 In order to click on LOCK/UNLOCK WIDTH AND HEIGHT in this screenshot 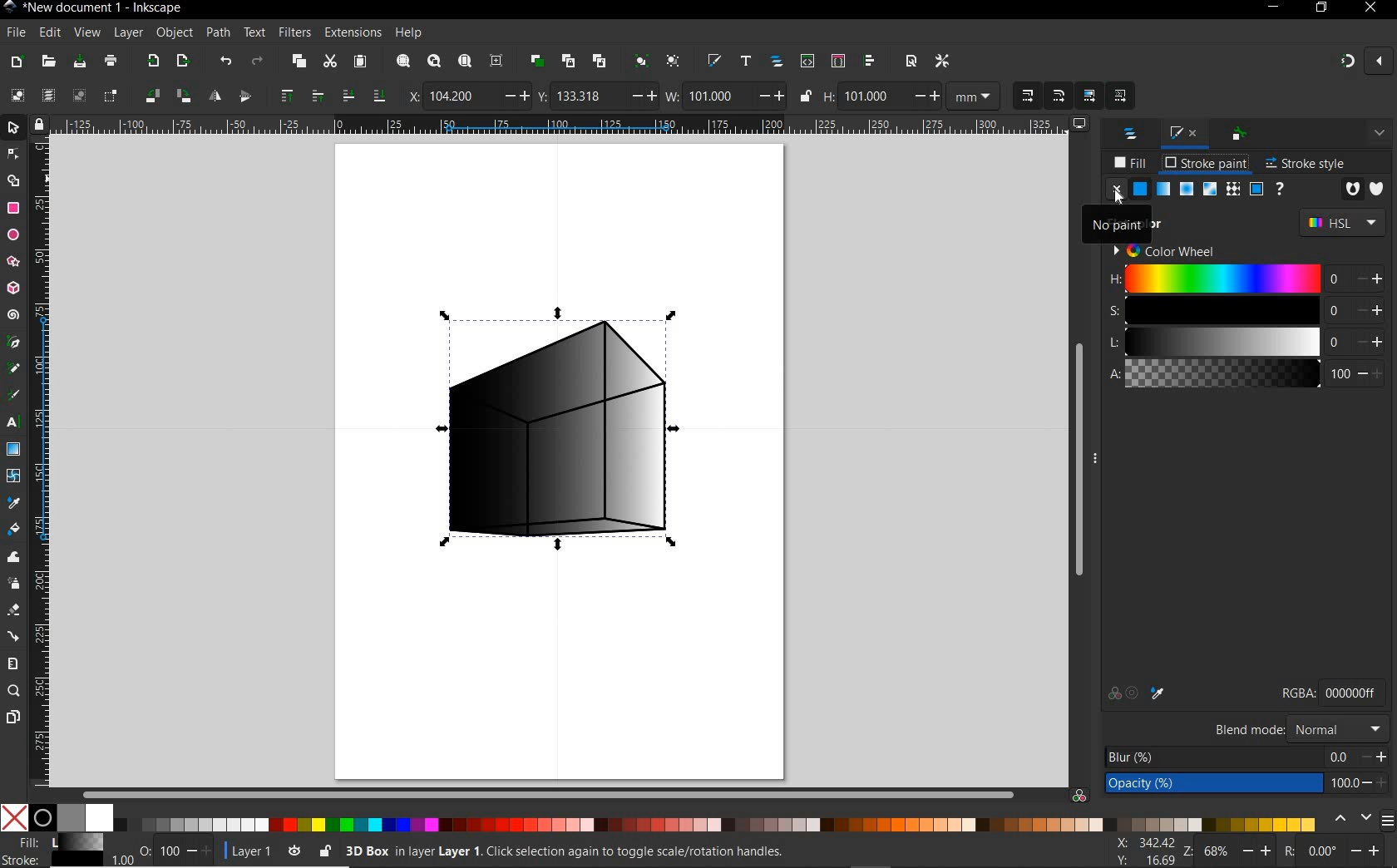, I will do `click(805, 96)`.